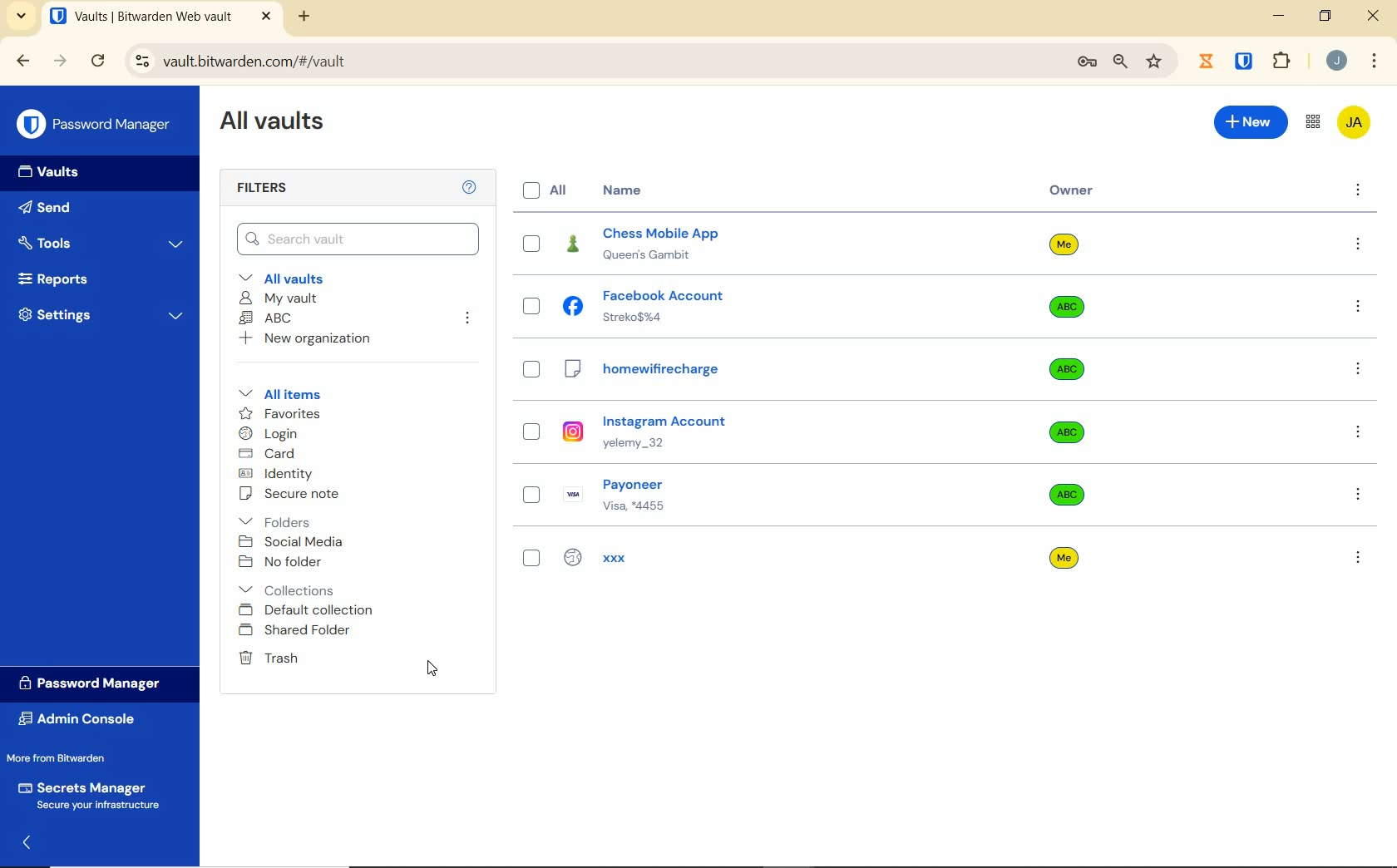 The width and height of the screenshot is (1397, 868). Describe the element at coordinates (531, 369) in the screenshot. I see `select entry` at that location.